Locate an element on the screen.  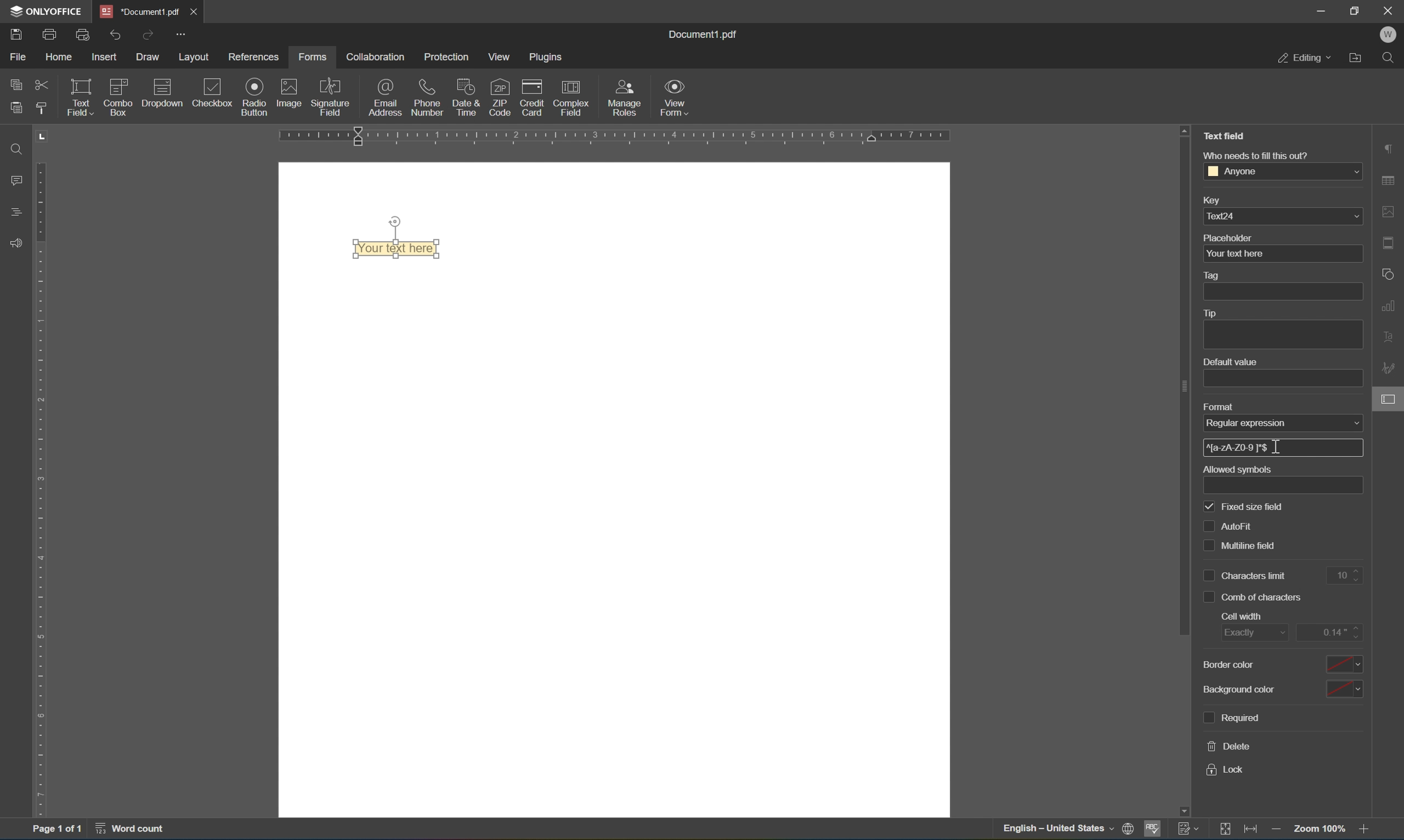
background color is located at coordinates (1240, 689).